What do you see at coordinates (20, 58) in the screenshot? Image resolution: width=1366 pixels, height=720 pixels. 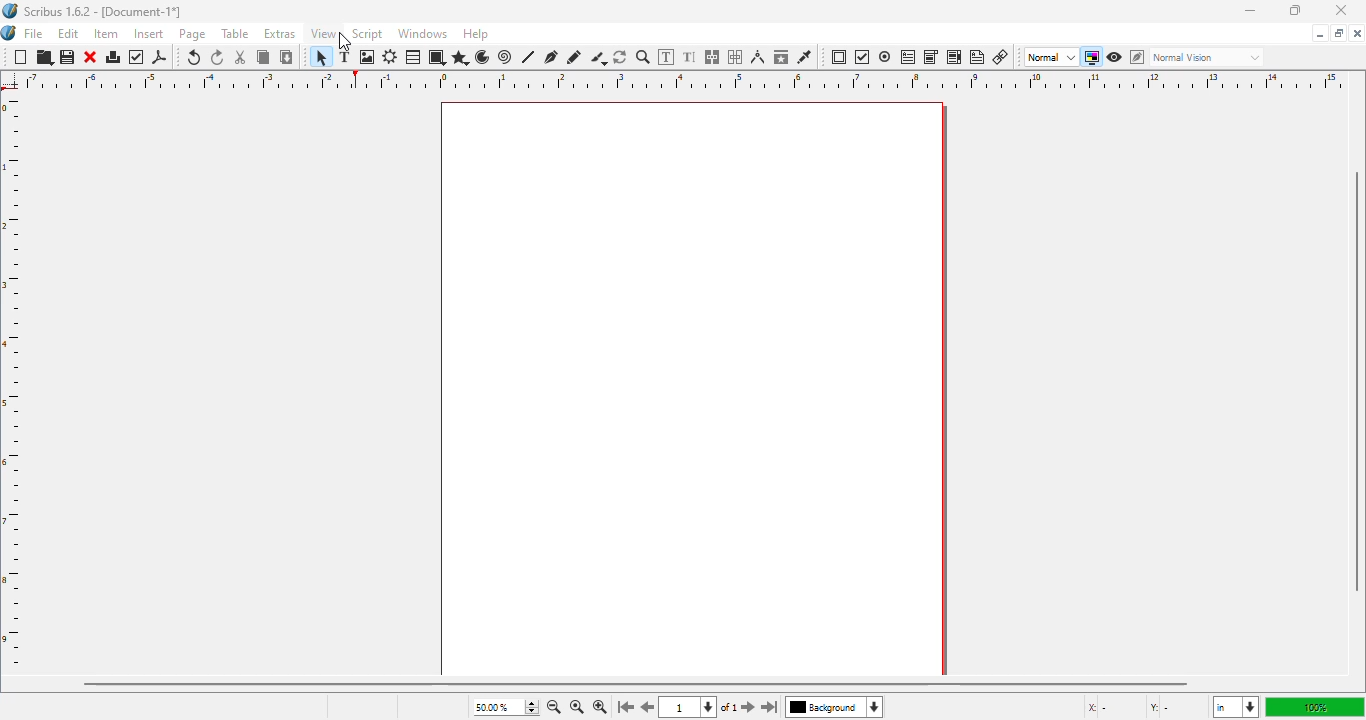 I see `new` at bounding box center [20, 58].